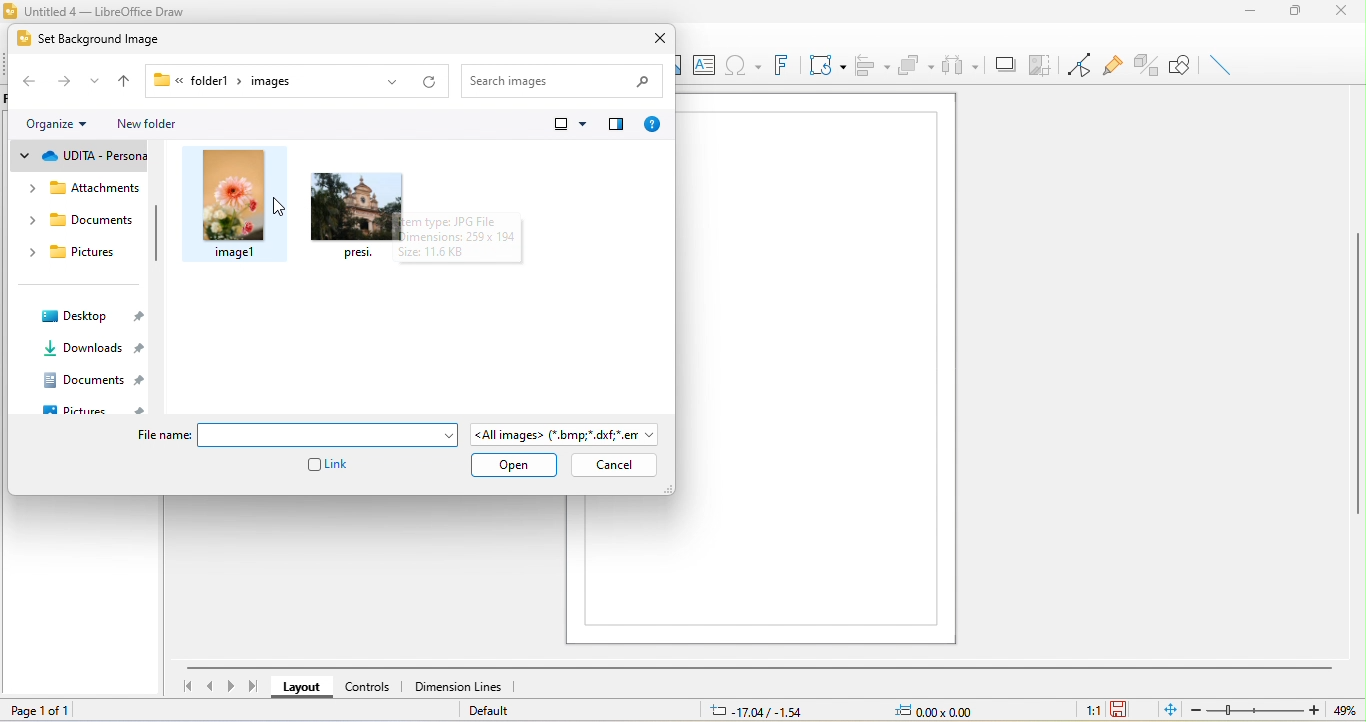 Image resolution: width=1366 pixels, height=722 pixels. What do you see at coordinates (1041, 64) in the screenshot?
I see `copy image` at bounding box center [1041, 64].